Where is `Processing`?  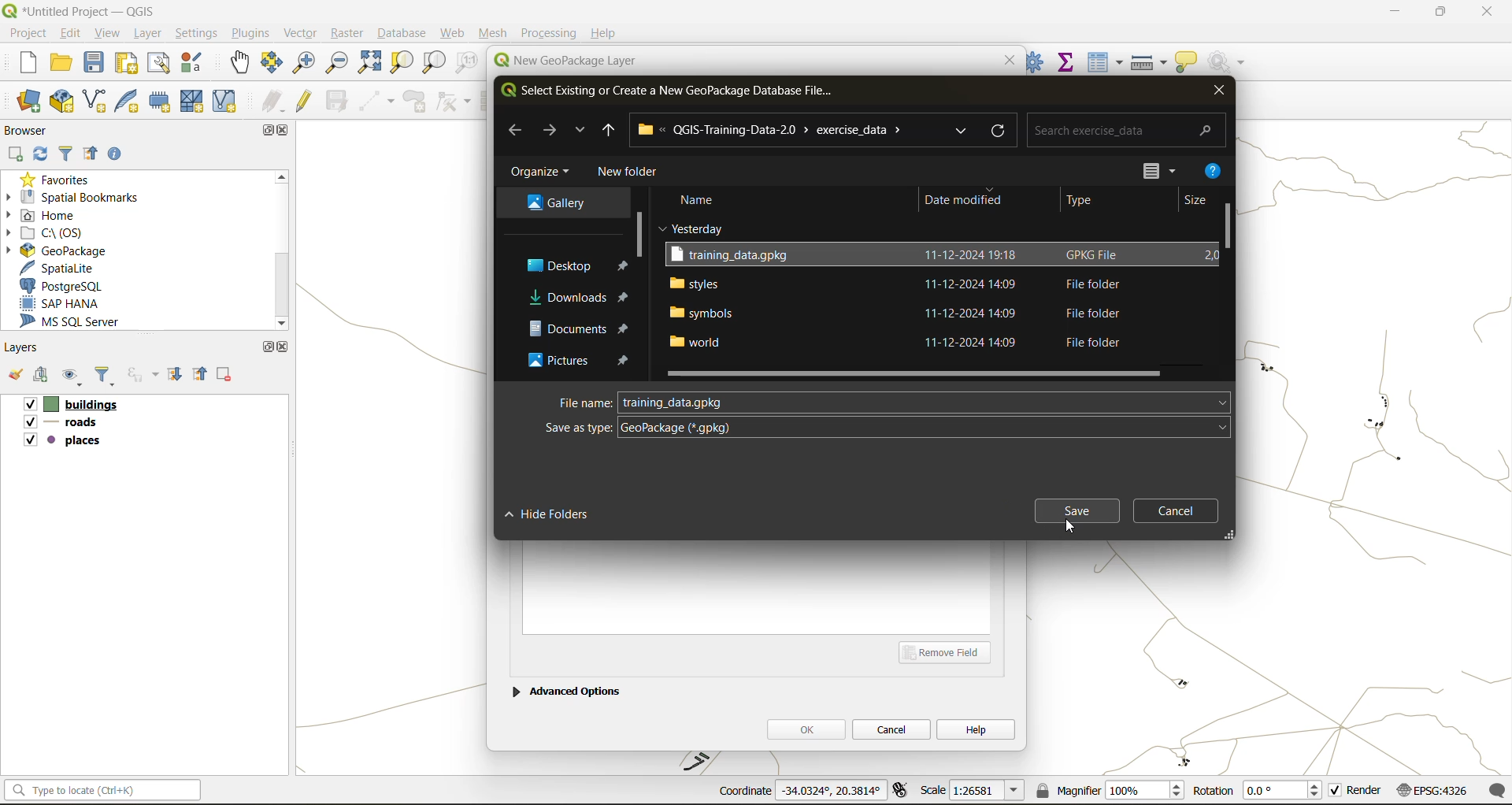 Processing is located at coordinates (550, 33).